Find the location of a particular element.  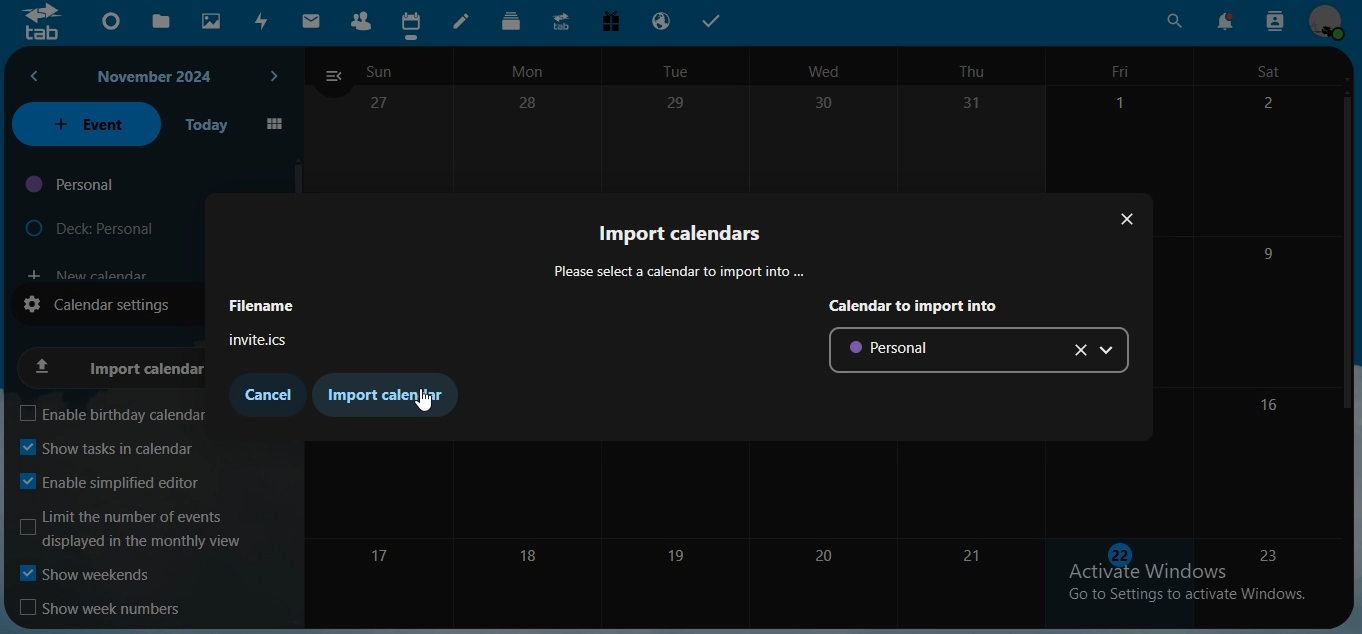

import calendar is located at coordinates (678, 235).